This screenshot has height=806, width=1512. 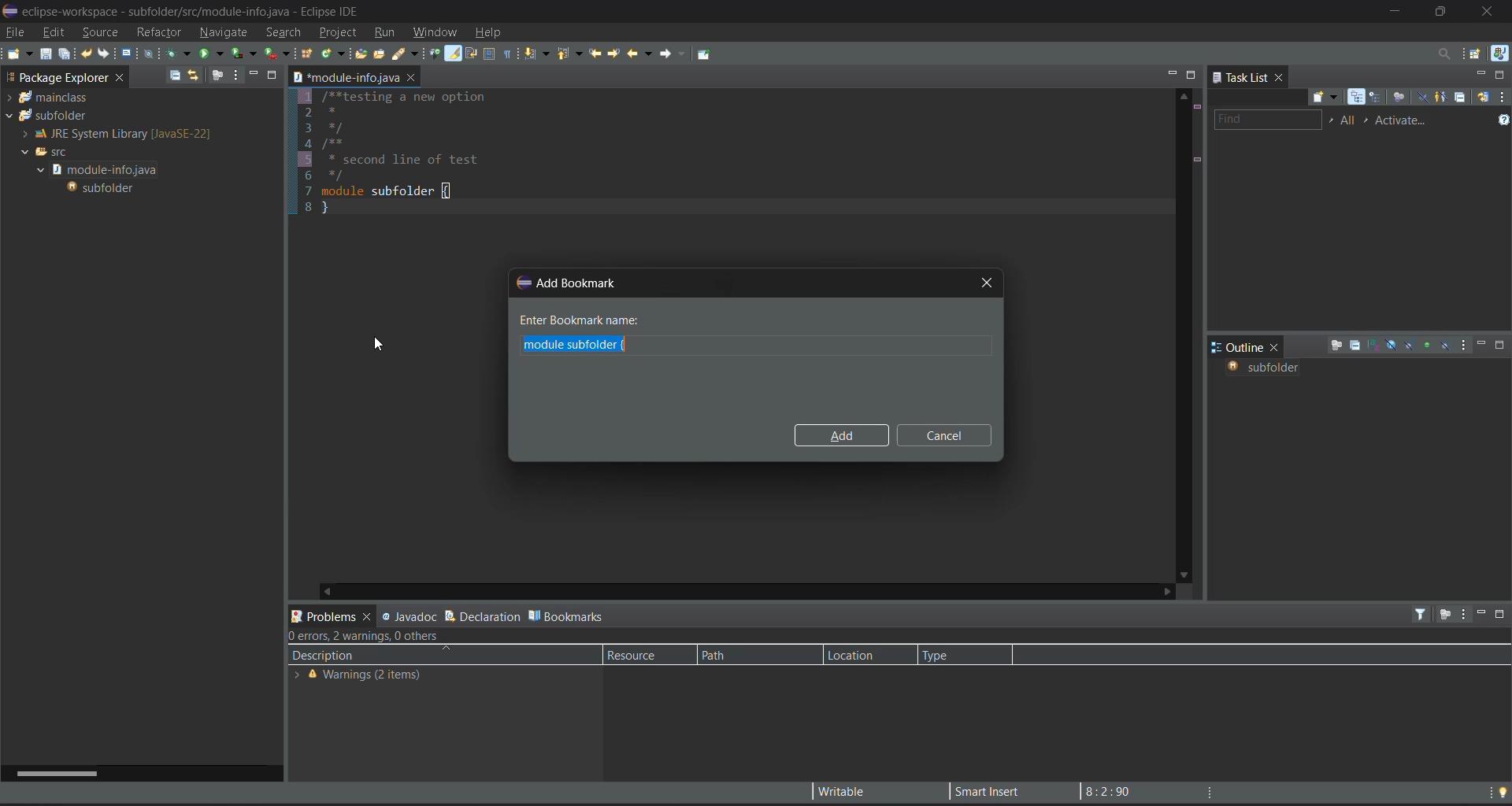 What do you see at coordinates (195, 76) in the screenshot?
I see `link with editor` at bounding box center [195, 76].